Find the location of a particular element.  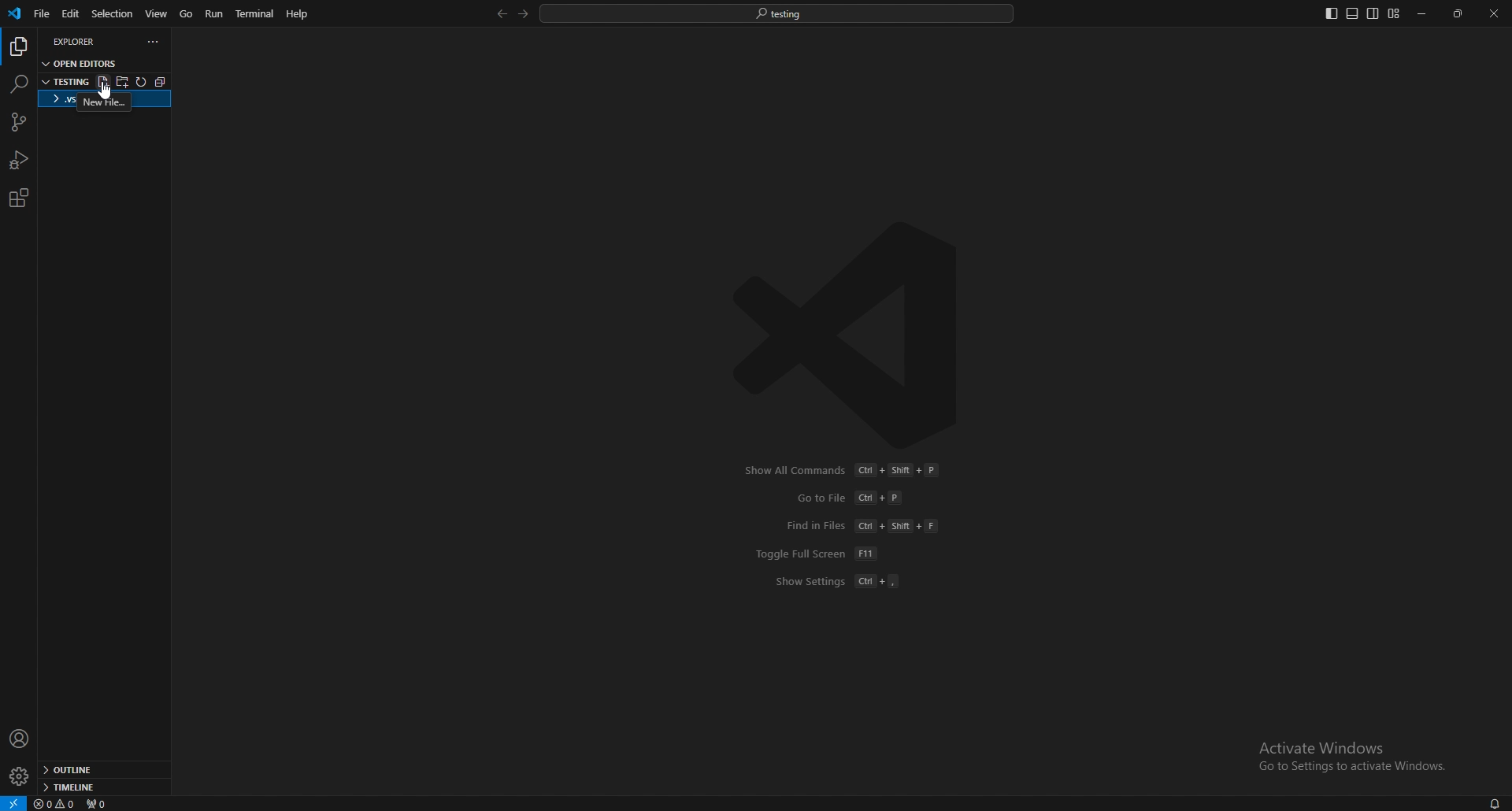

go is located at coordinates (187, 14).